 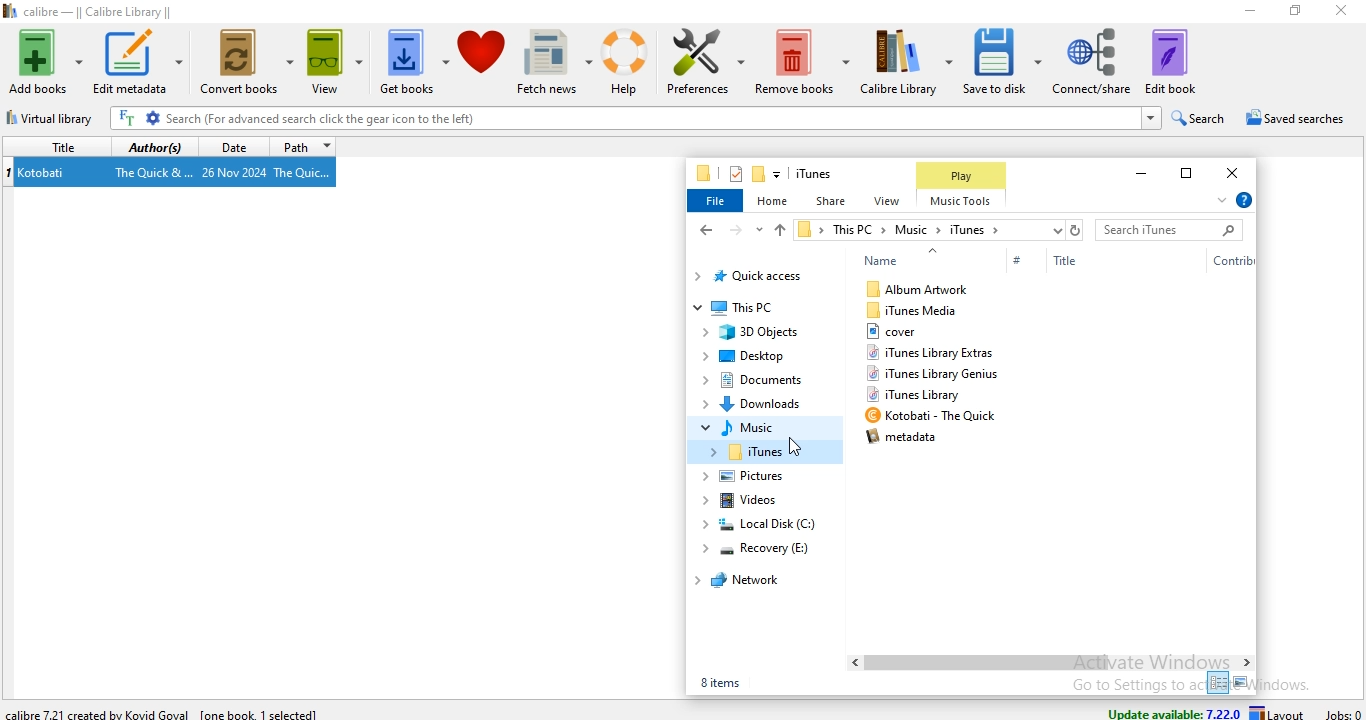 I want to click on authors, so click(x=154, y=147).